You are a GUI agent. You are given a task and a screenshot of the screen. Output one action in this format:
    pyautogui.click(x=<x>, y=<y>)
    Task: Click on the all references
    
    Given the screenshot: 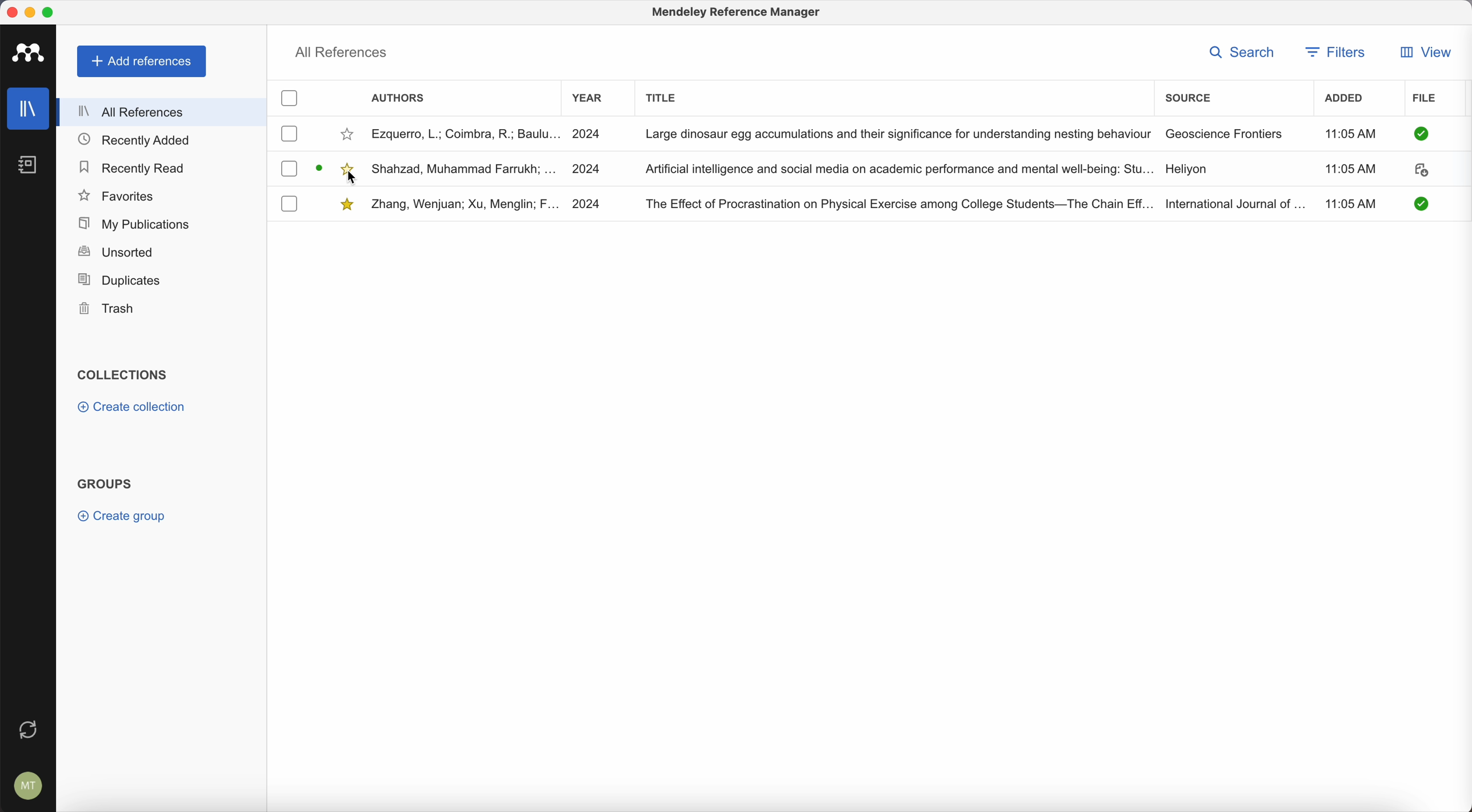 What is the action you would take?
    pyautogui.click(x=342, y=51)
    